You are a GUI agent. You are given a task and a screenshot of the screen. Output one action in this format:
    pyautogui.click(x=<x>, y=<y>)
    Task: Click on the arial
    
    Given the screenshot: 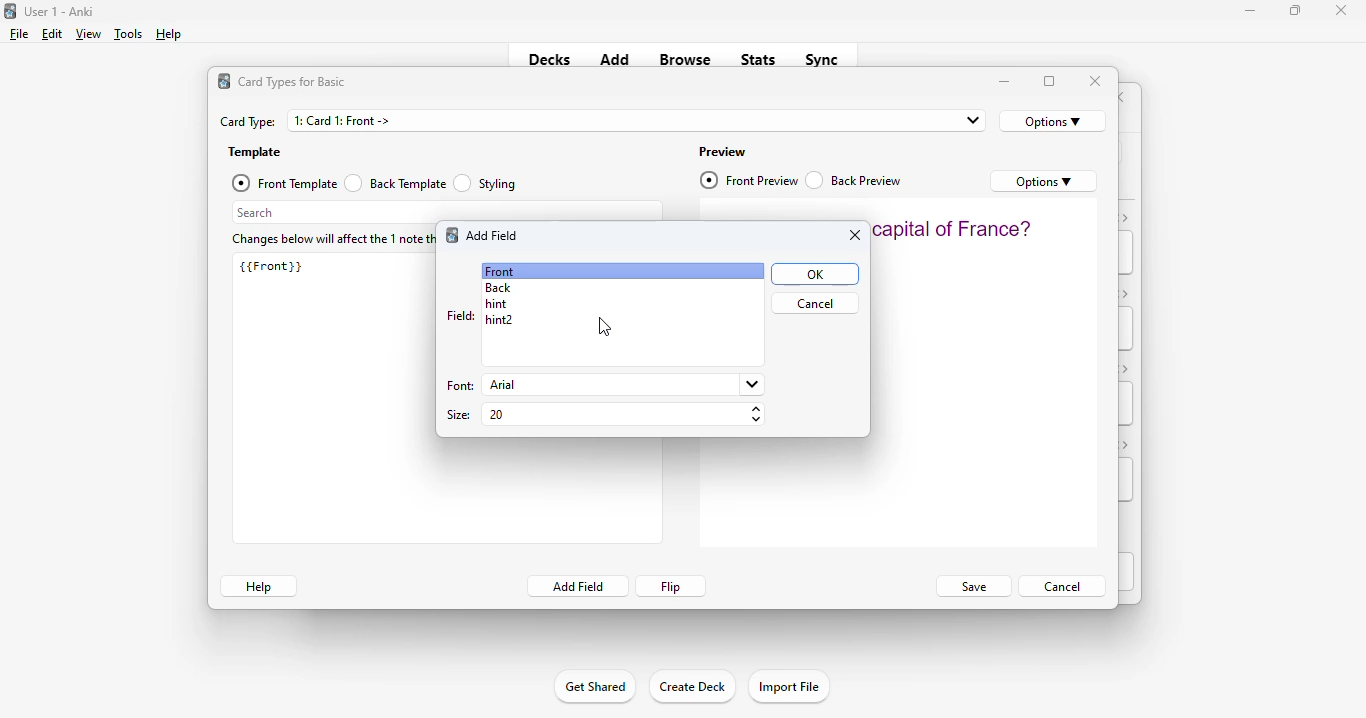 What is the action you would take?
    pyautogui.click(x=622, y=384)
    